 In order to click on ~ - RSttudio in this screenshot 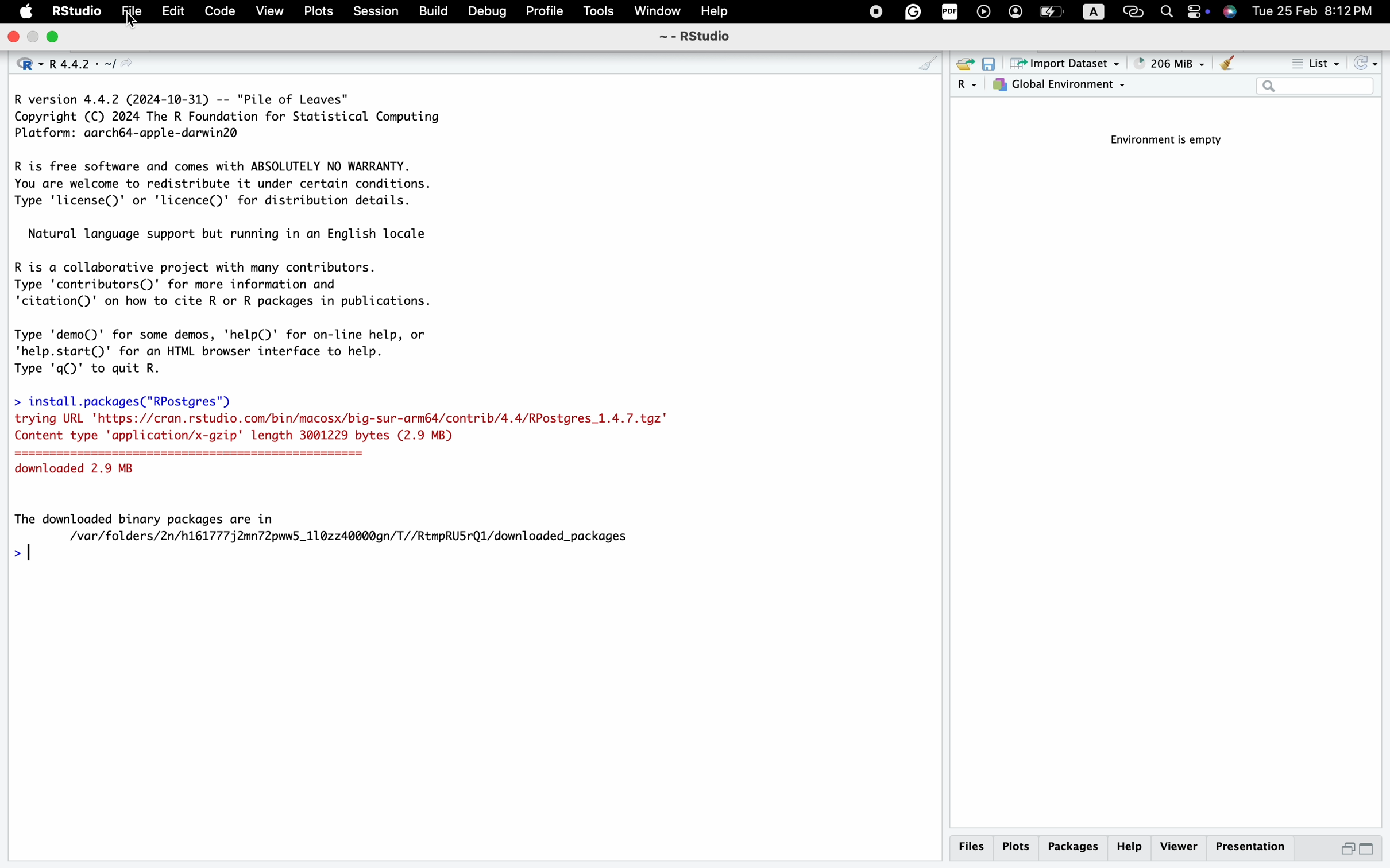, I will do `click(693, 38)`.